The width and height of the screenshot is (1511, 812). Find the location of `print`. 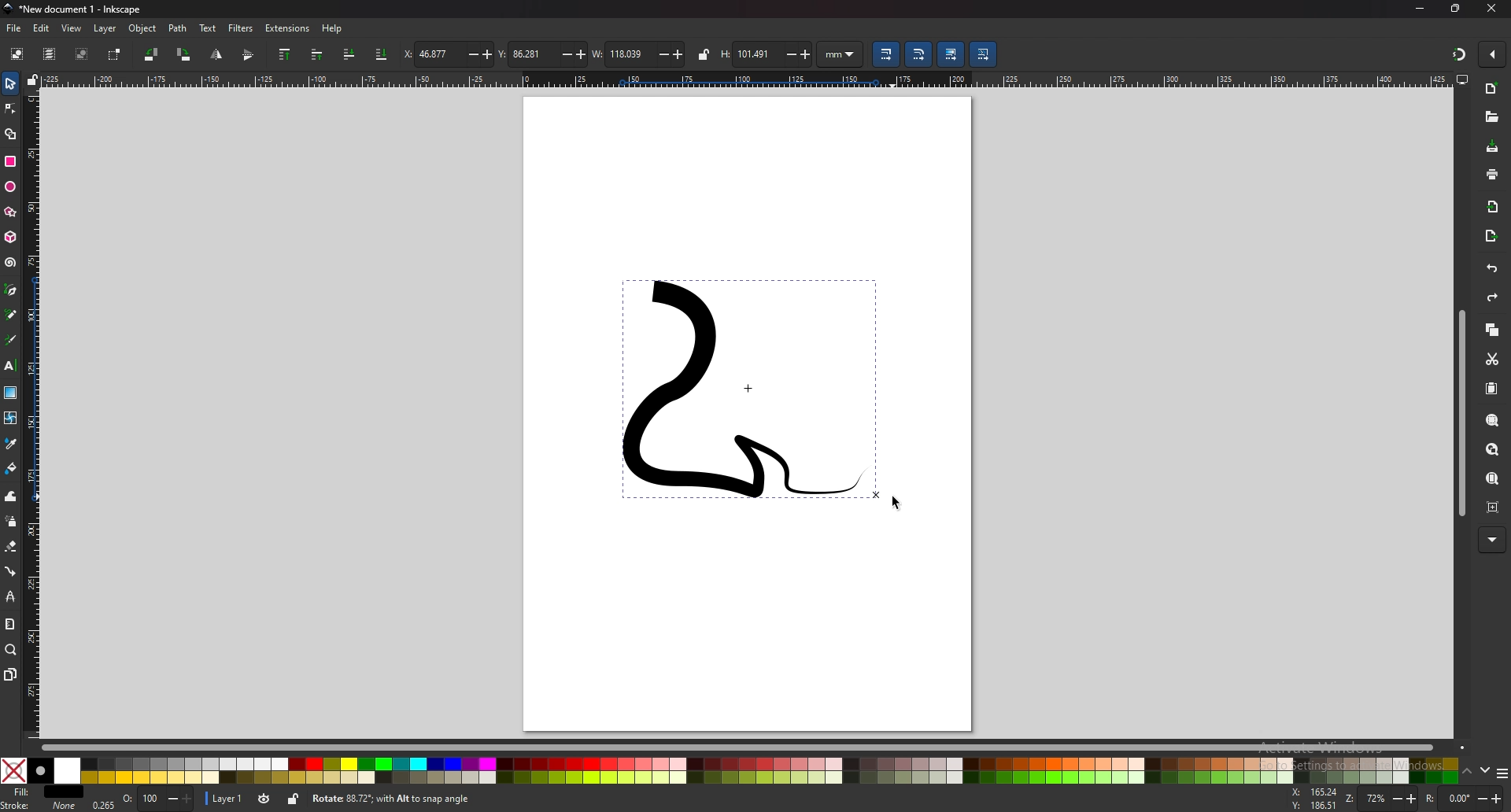

print is located at coordinates (1492, 175).